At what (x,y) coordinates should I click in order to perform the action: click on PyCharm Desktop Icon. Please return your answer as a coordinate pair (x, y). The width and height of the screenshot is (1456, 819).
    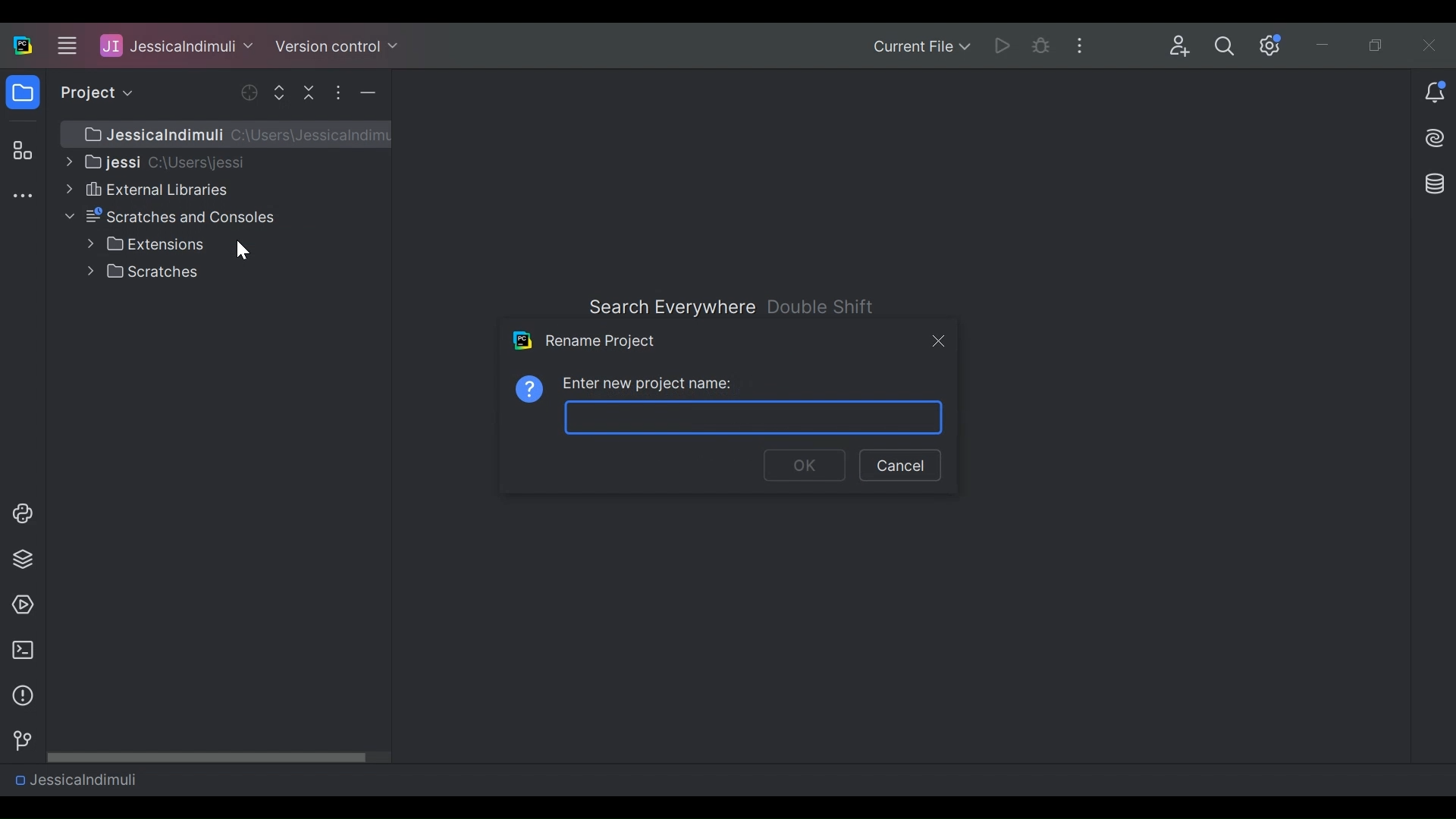
    Looking at the image, I should click on (24, 46).